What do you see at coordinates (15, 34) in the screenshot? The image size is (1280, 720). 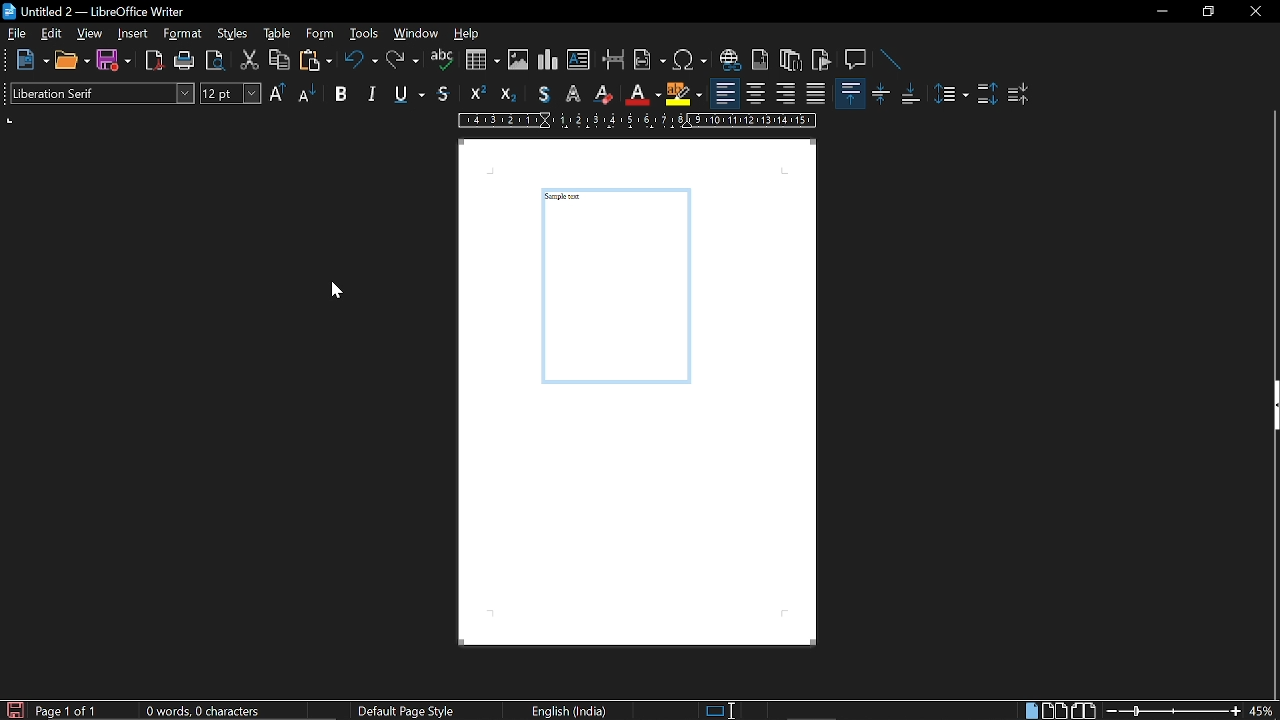 I see `file` at bounding box center [15, 34].